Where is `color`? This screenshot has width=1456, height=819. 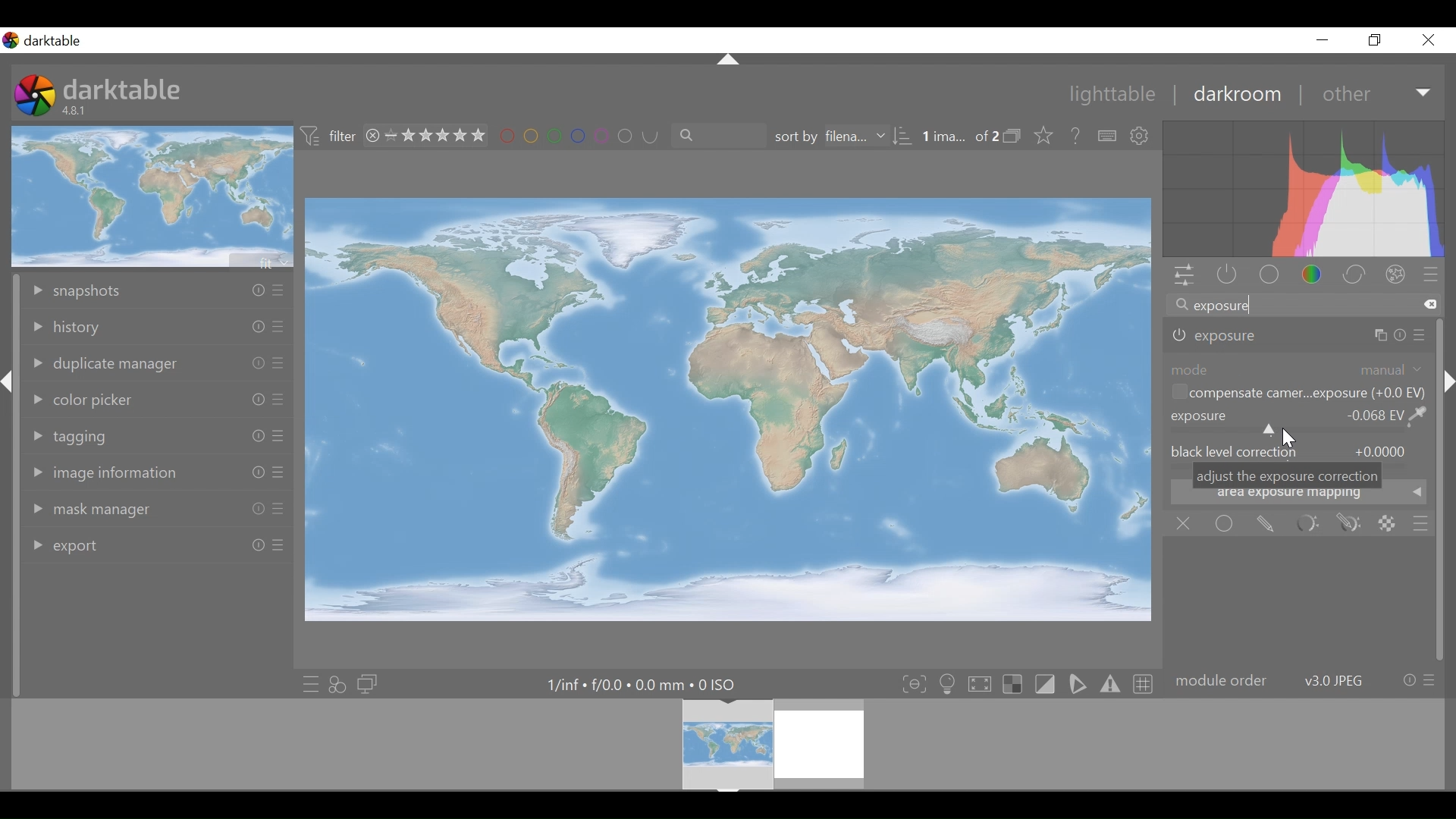 color is located at coordinates (1312, 275).